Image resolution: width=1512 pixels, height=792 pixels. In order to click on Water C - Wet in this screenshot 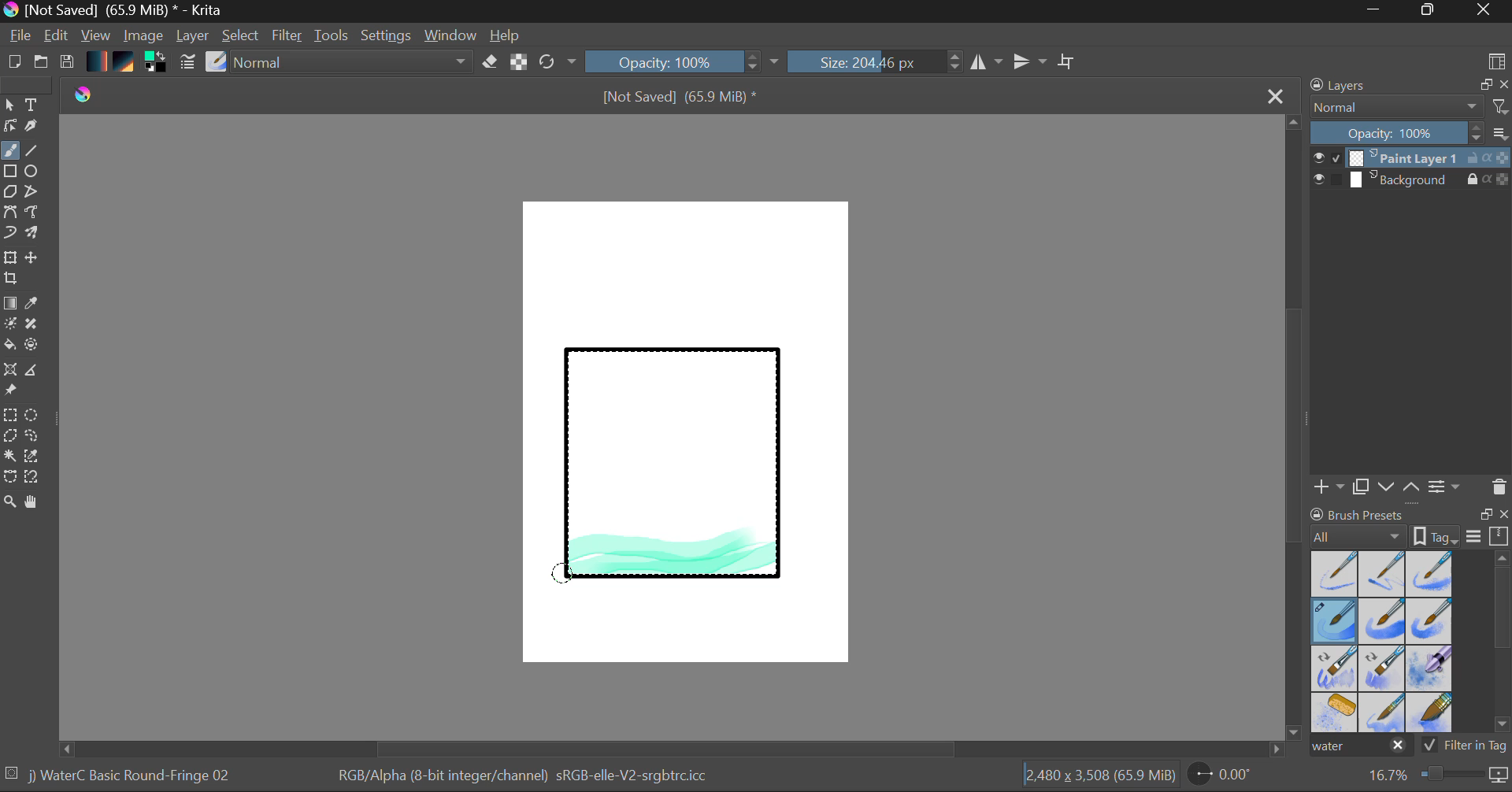, I will do `click(1384, 574)`.